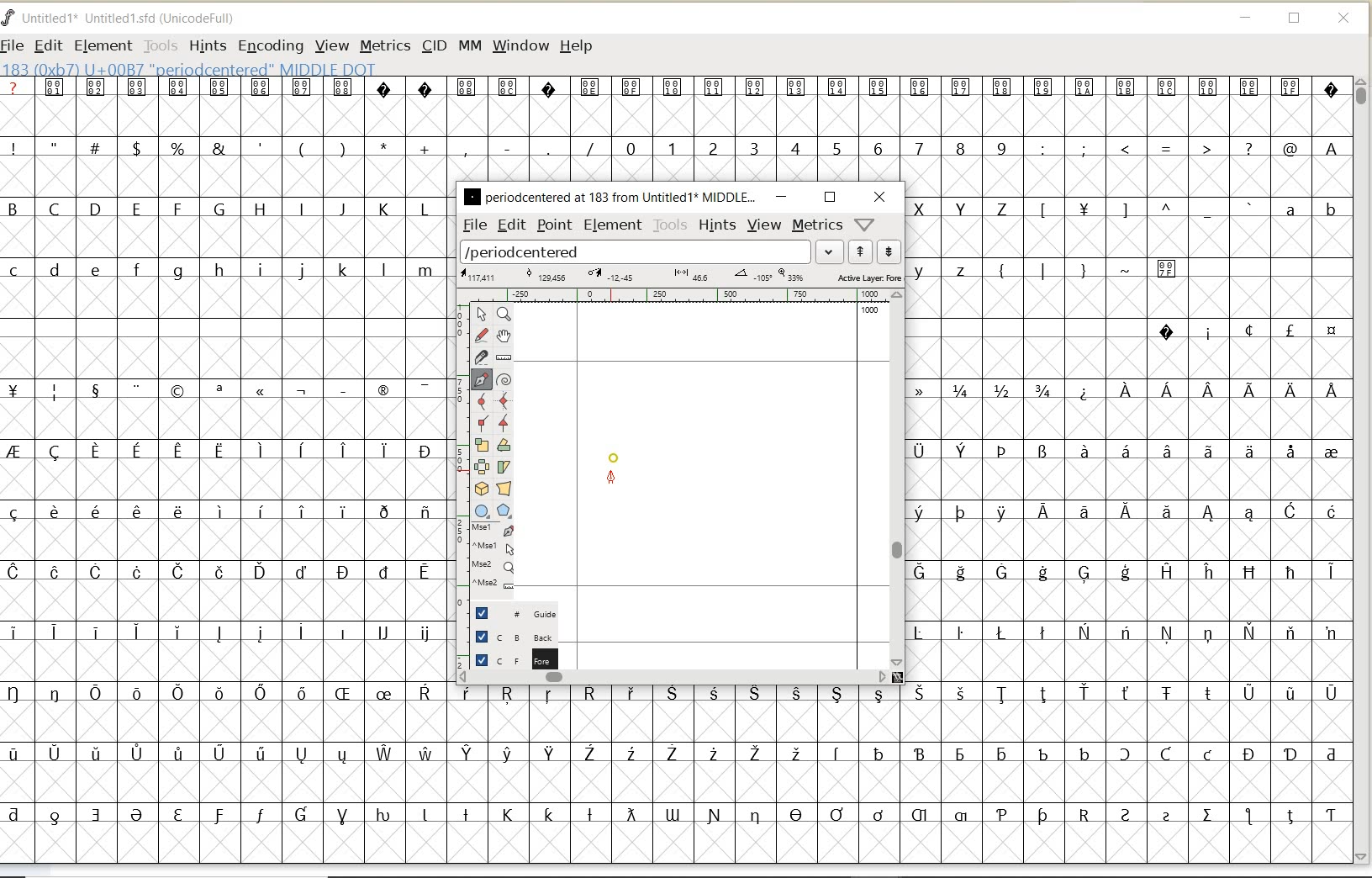  Describe the element at coordinates (830, 196) in the screenshot. I see `restore` at that location.